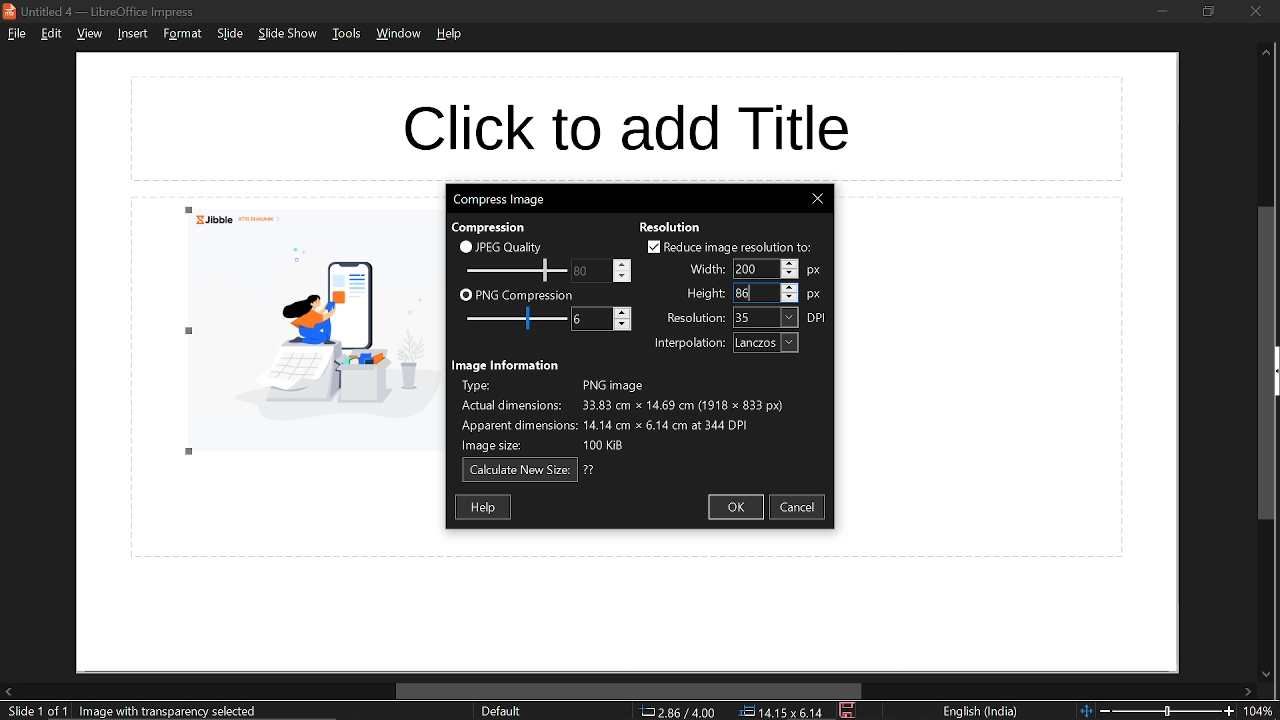 This screenshot has height=720, width=1280. I want to click on view, so click(89, 35).